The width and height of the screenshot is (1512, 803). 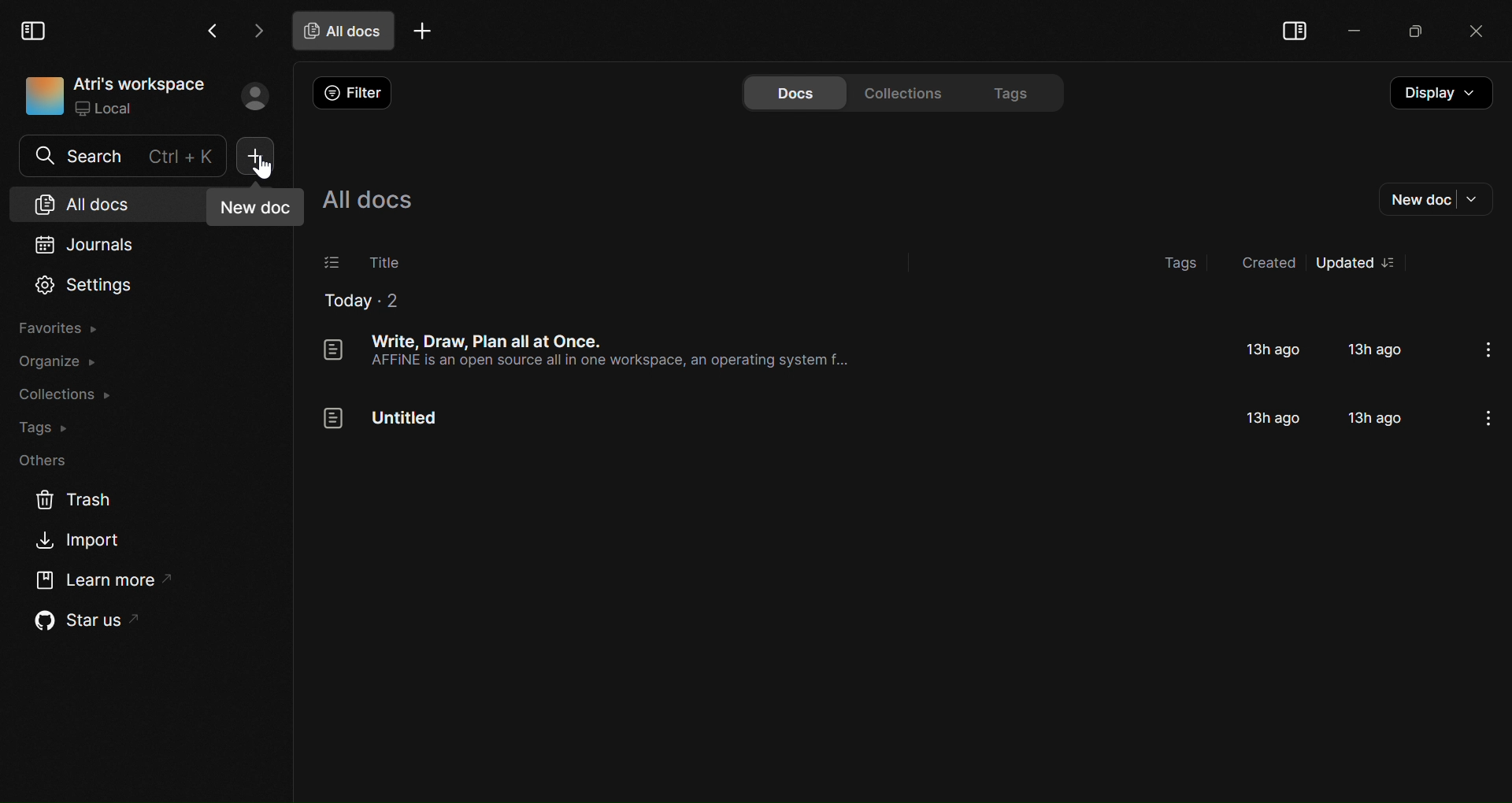 I want to click on Document titled "Write, Draw, Plan all at once", so click(x=487, y=341).